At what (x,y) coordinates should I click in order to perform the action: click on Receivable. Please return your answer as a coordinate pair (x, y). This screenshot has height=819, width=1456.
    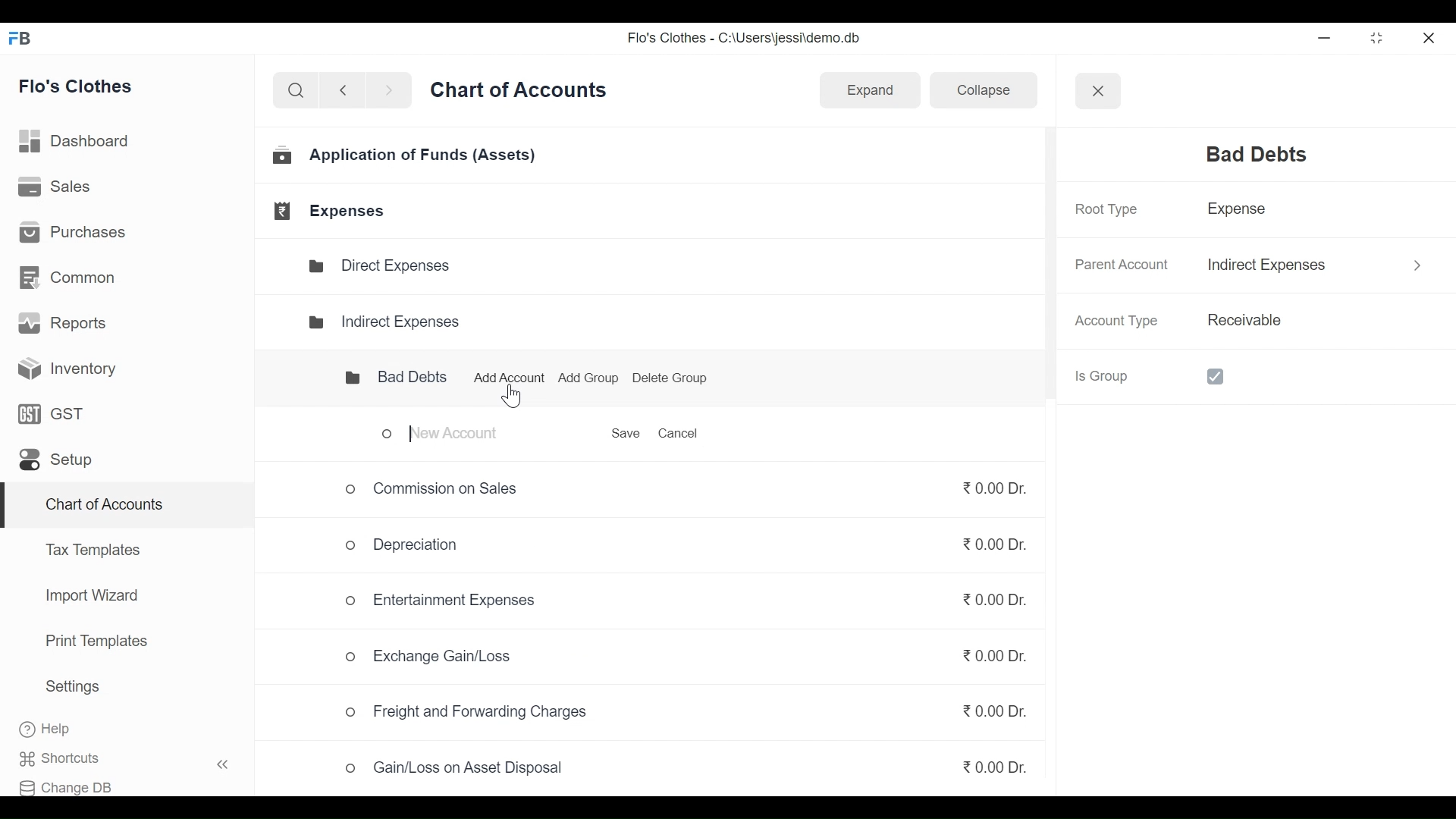
    Looking at the image, I should click on (1242, 321).